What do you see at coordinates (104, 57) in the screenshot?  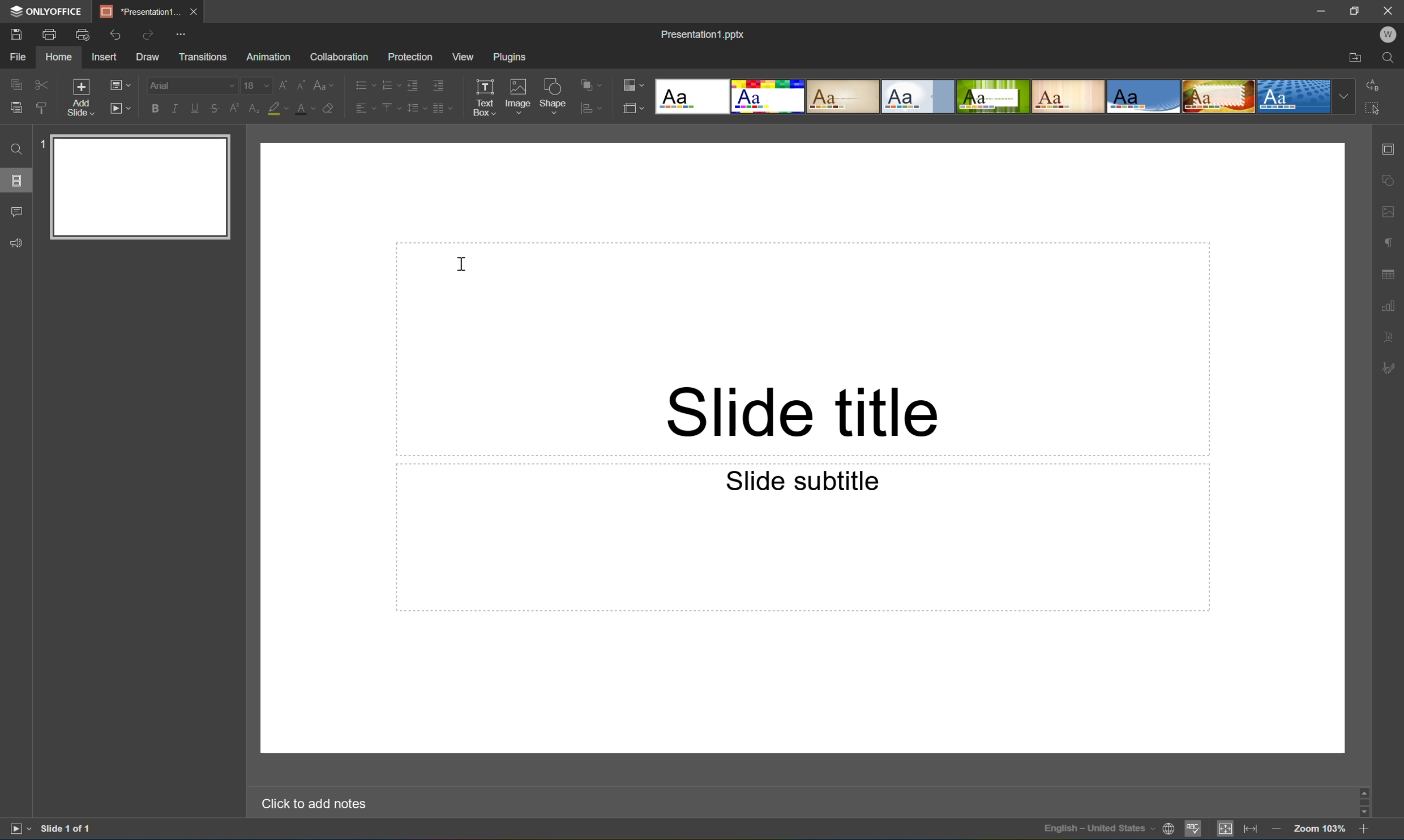 I see `Insert` at bounding box center [104, 57].